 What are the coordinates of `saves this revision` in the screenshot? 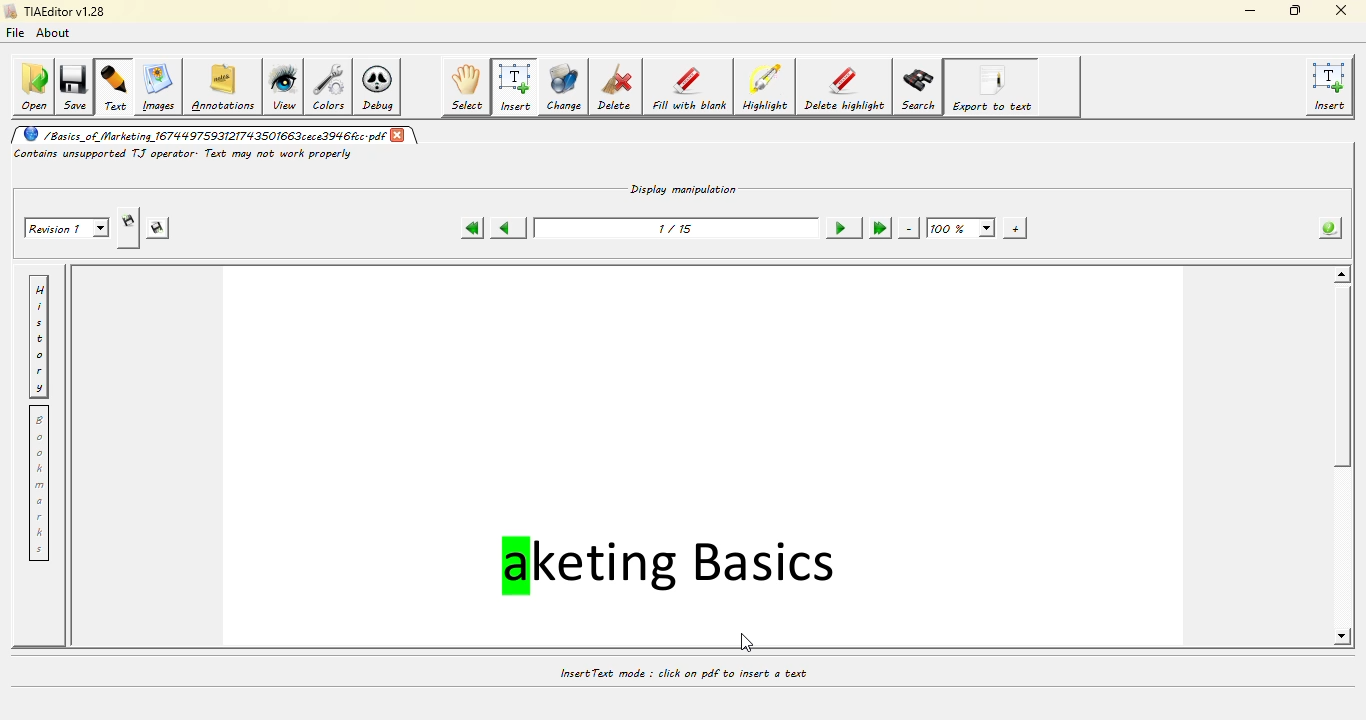 It's located at (159, 229).